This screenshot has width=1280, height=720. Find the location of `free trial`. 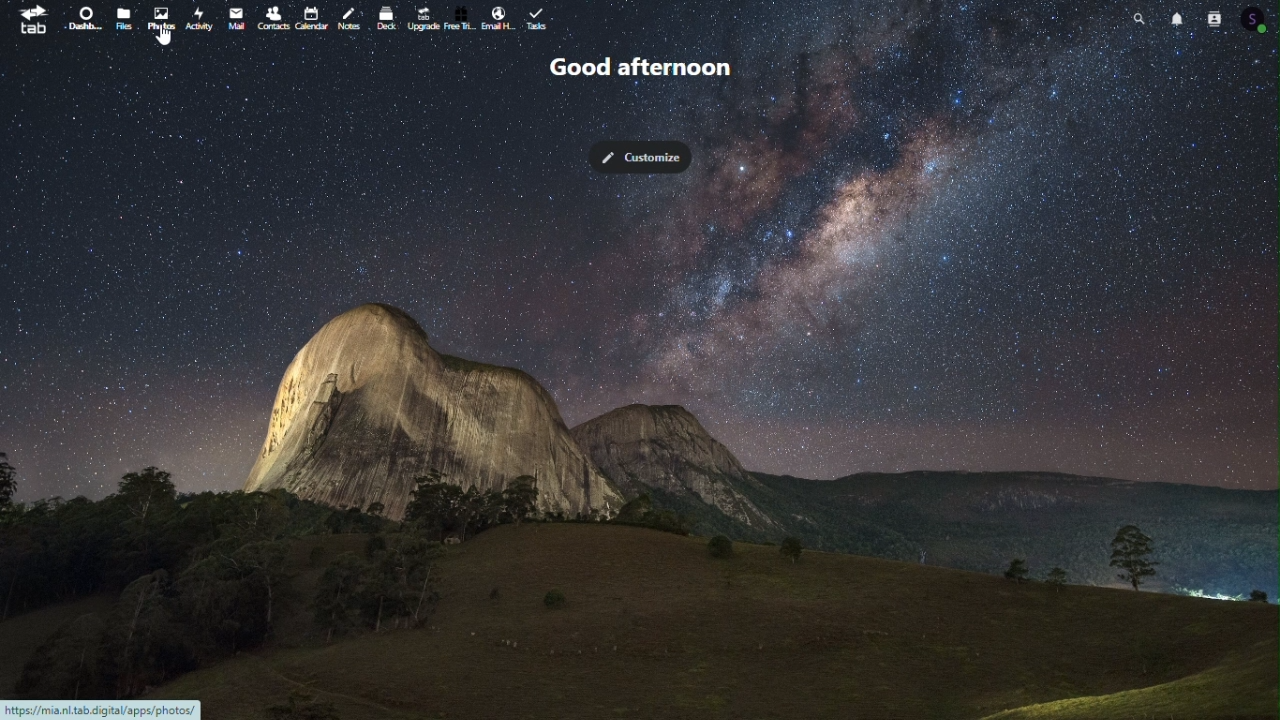

free trial is located at coordinates (463, 19).